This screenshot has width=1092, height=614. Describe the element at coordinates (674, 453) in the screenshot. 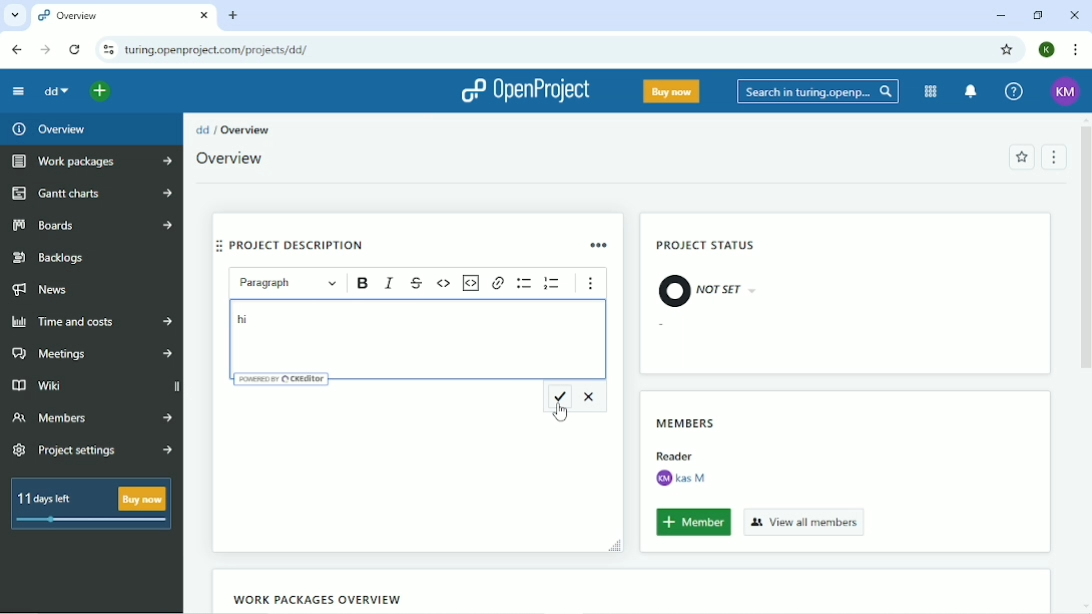

I see `` at that location.